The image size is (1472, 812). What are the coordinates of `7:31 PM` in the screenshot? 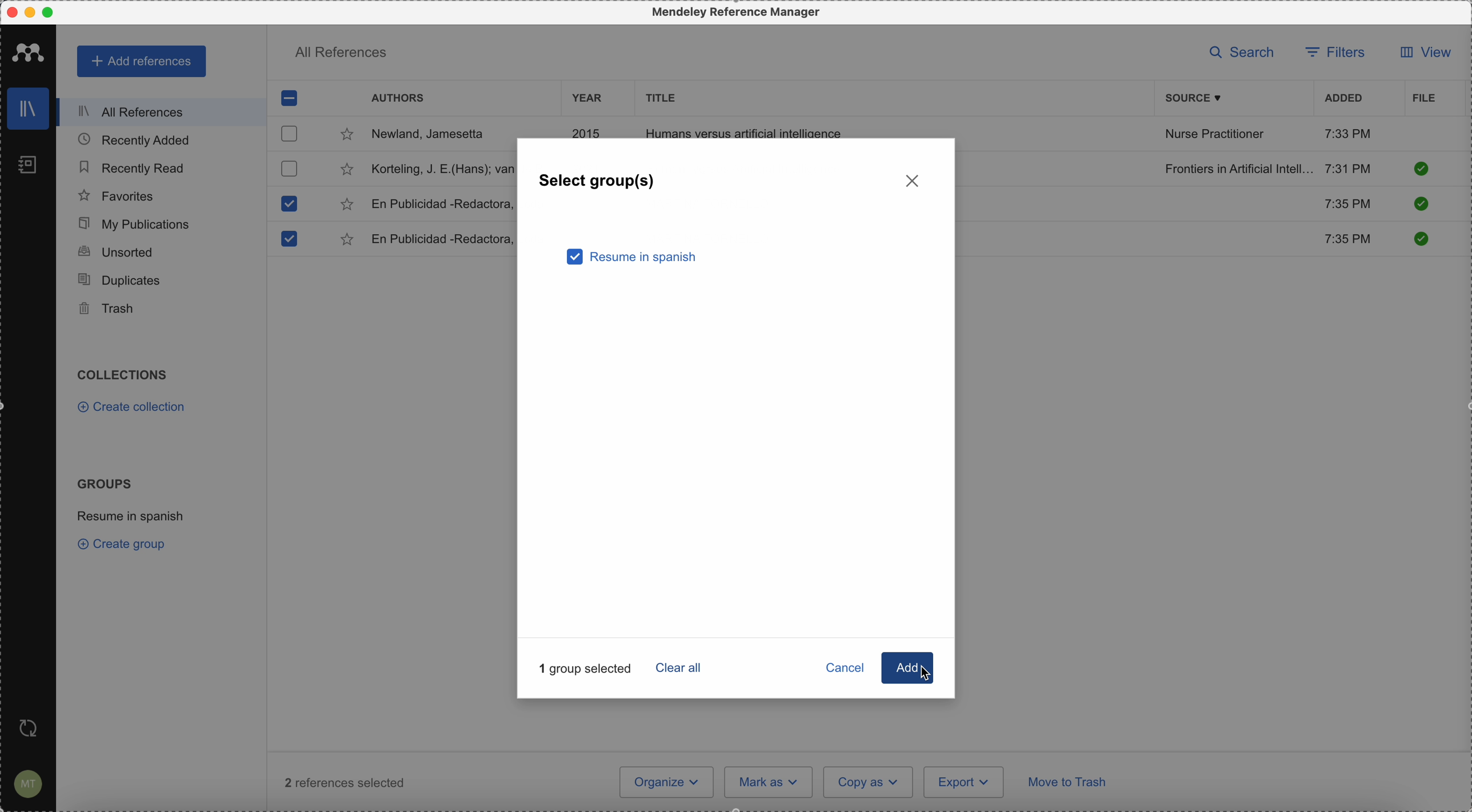 It's located at (1348, 167).